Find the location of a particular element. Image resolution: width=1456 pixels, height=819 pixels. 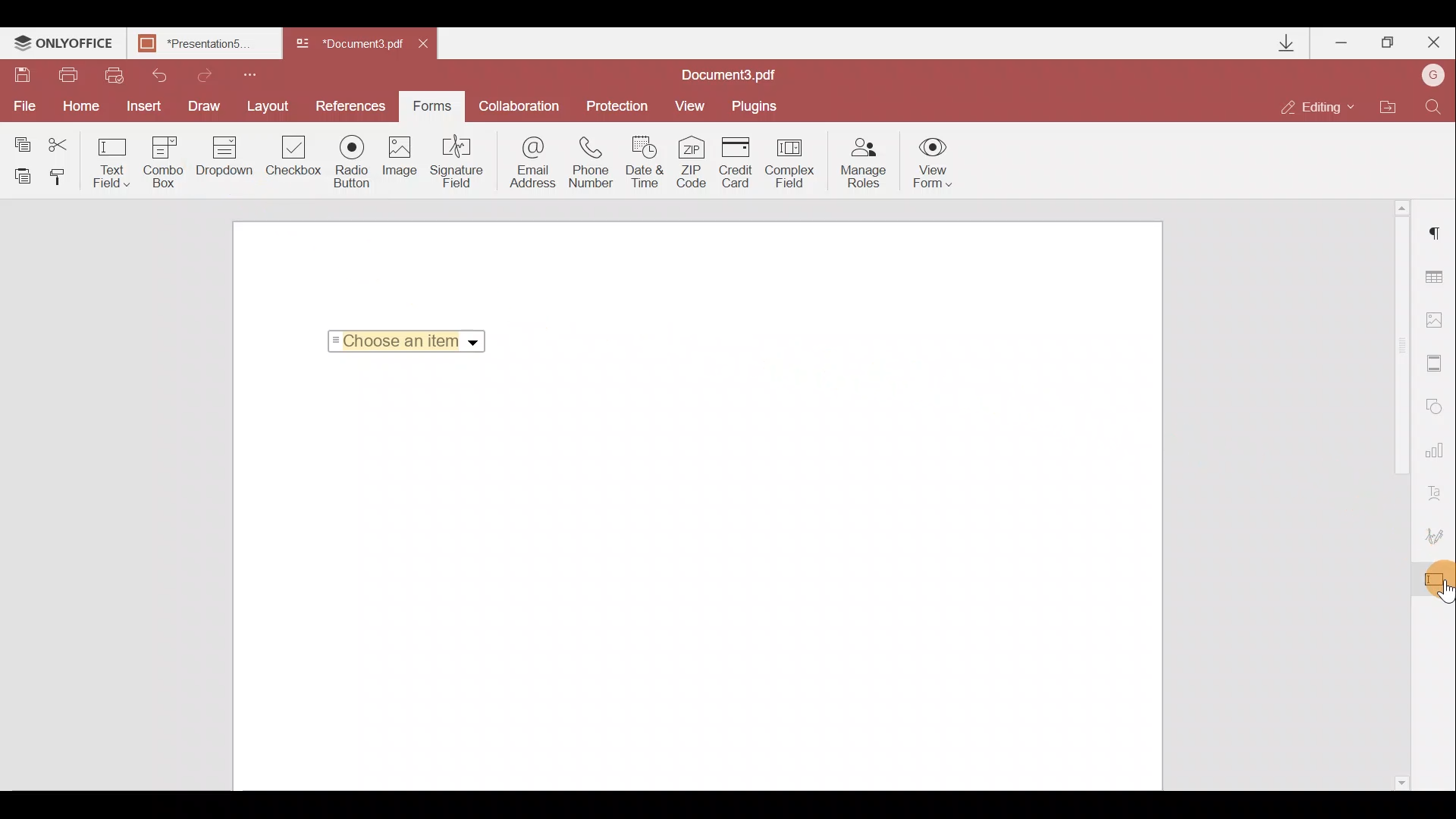

Cursor is located at coordinates (1432, 585).